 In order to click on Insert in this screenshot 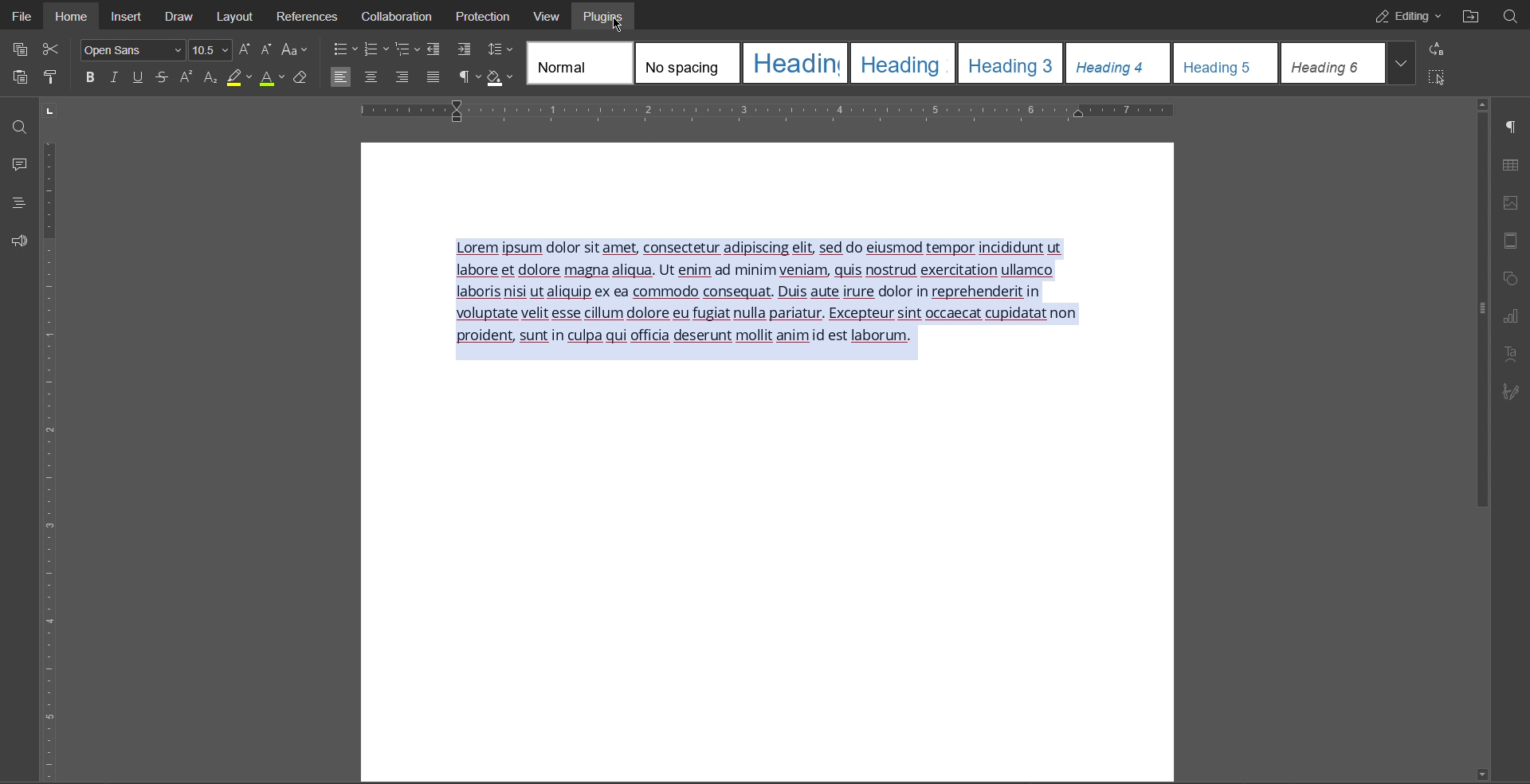, I will do `click(130, 16)`.